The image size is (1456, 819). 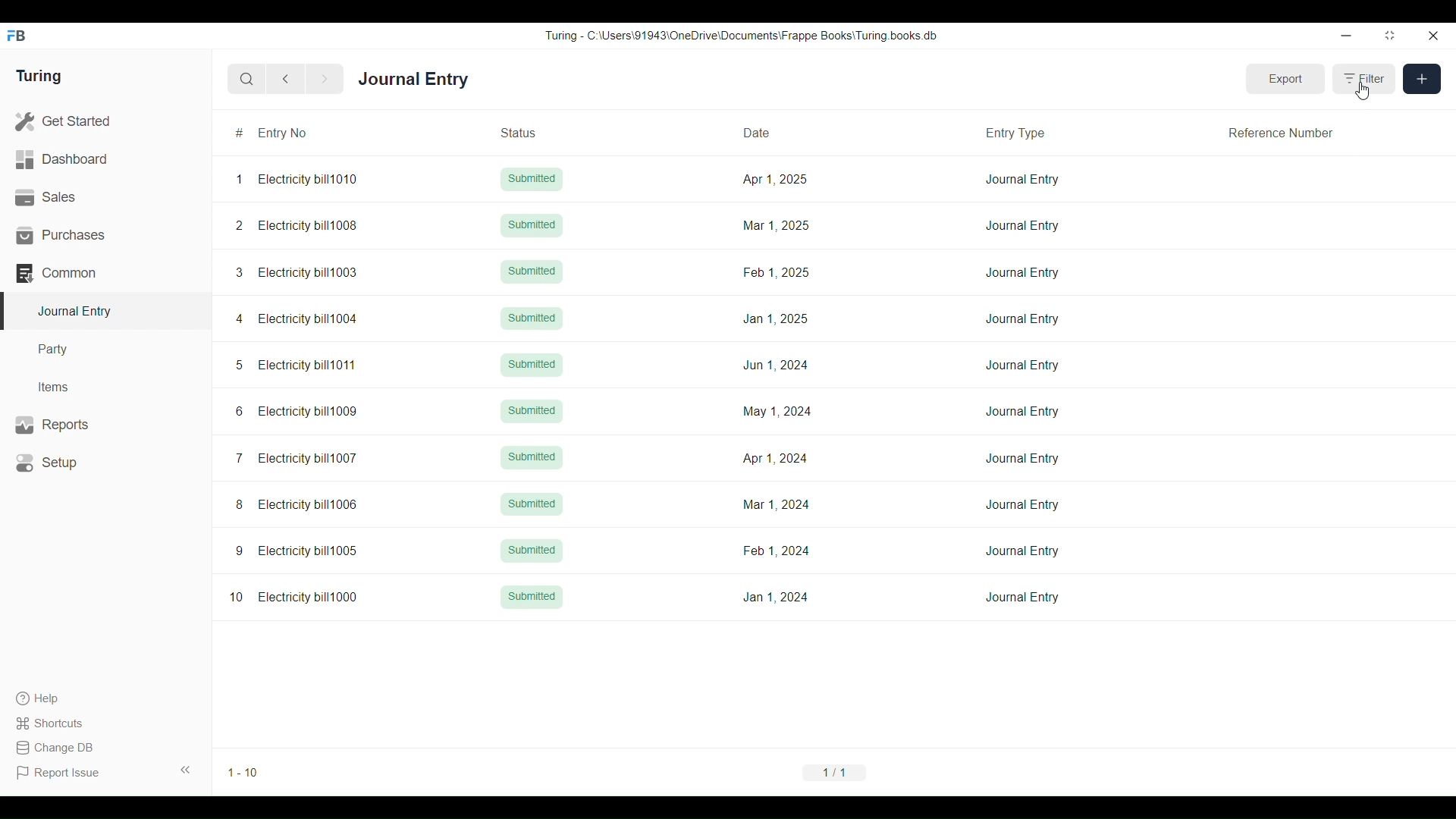 What do you see at coordinates (58, 773) in the screenshot?
I see `Report Issue` at bounding box center [58, 773].